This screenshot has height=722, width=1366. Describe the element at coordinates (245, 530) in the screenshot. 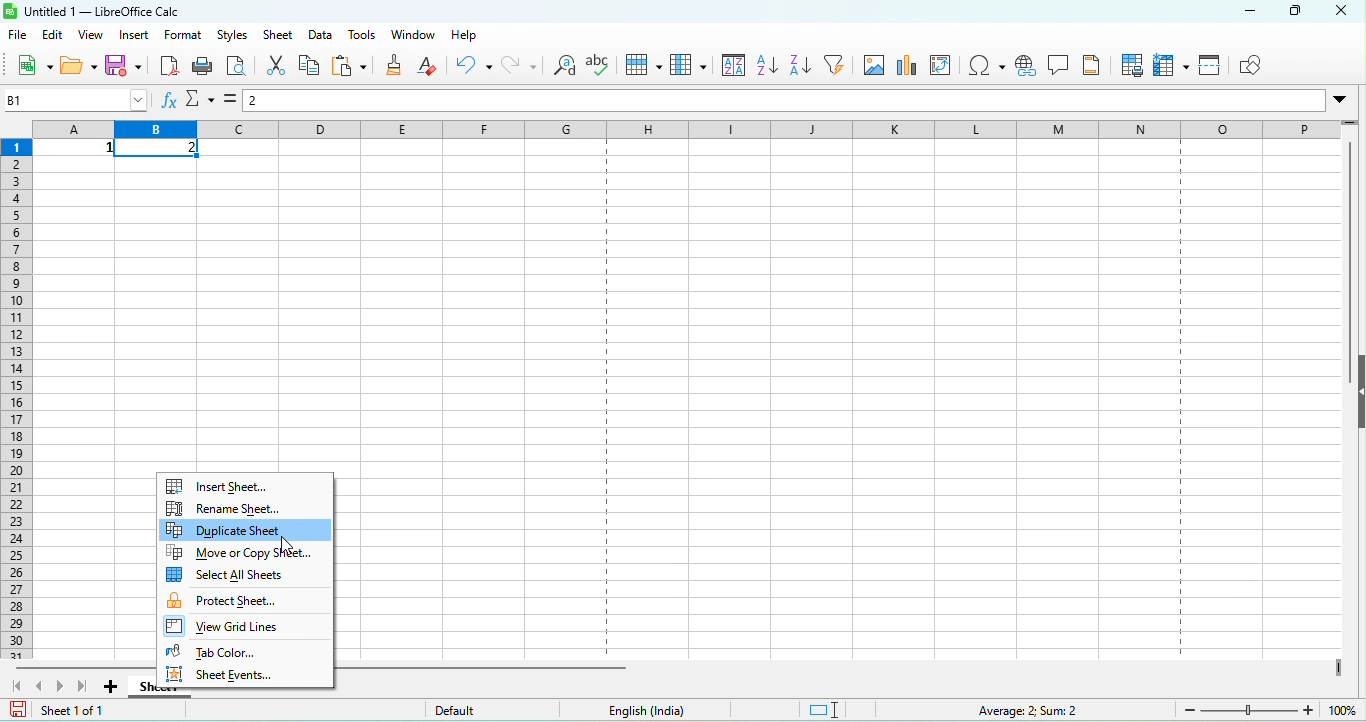

I see `duplicate sheet` at that location.